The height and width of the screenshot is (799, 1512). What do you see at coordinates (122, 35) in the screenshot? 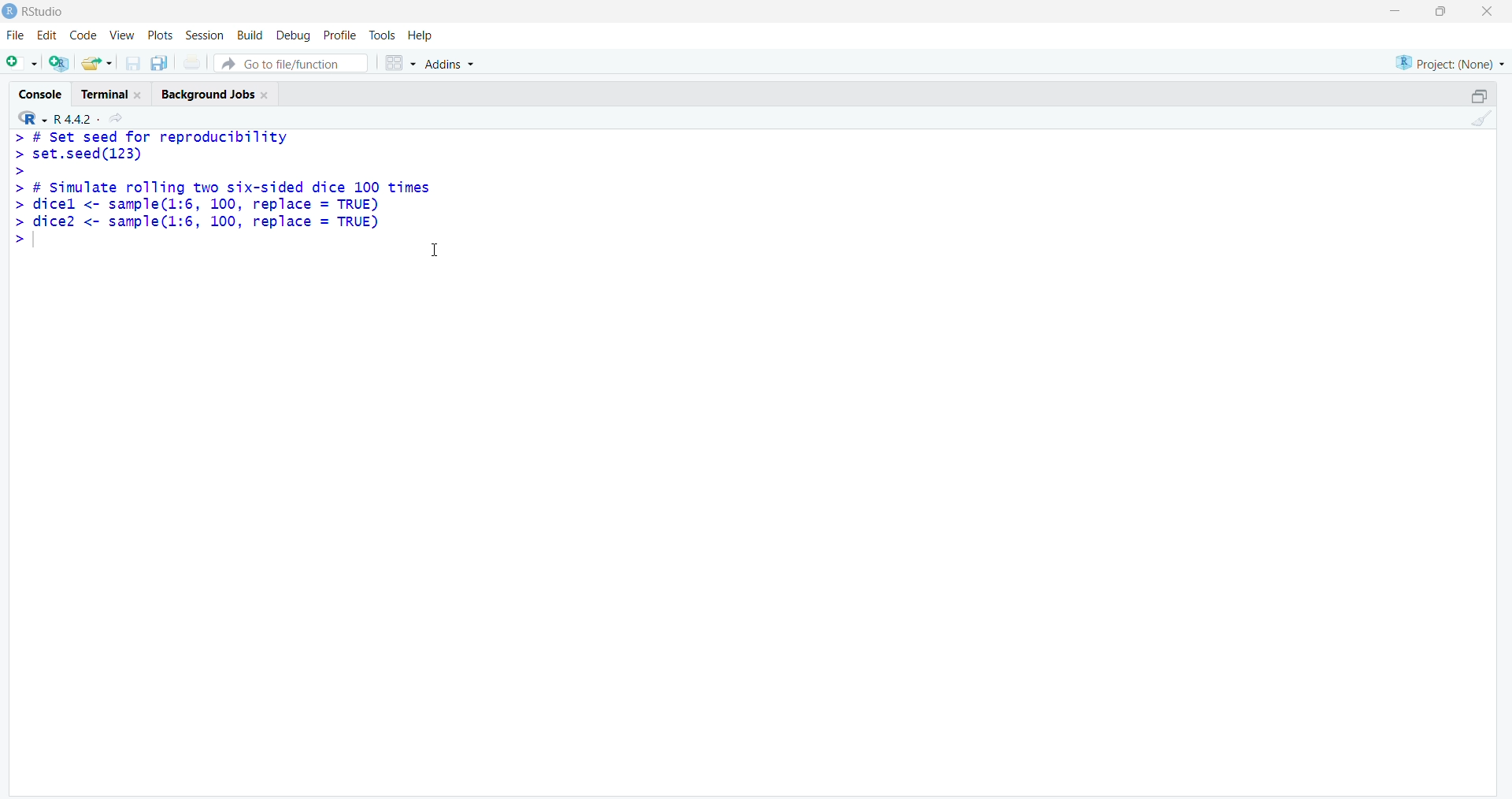
I see `view` at bounding box center [122, 35].